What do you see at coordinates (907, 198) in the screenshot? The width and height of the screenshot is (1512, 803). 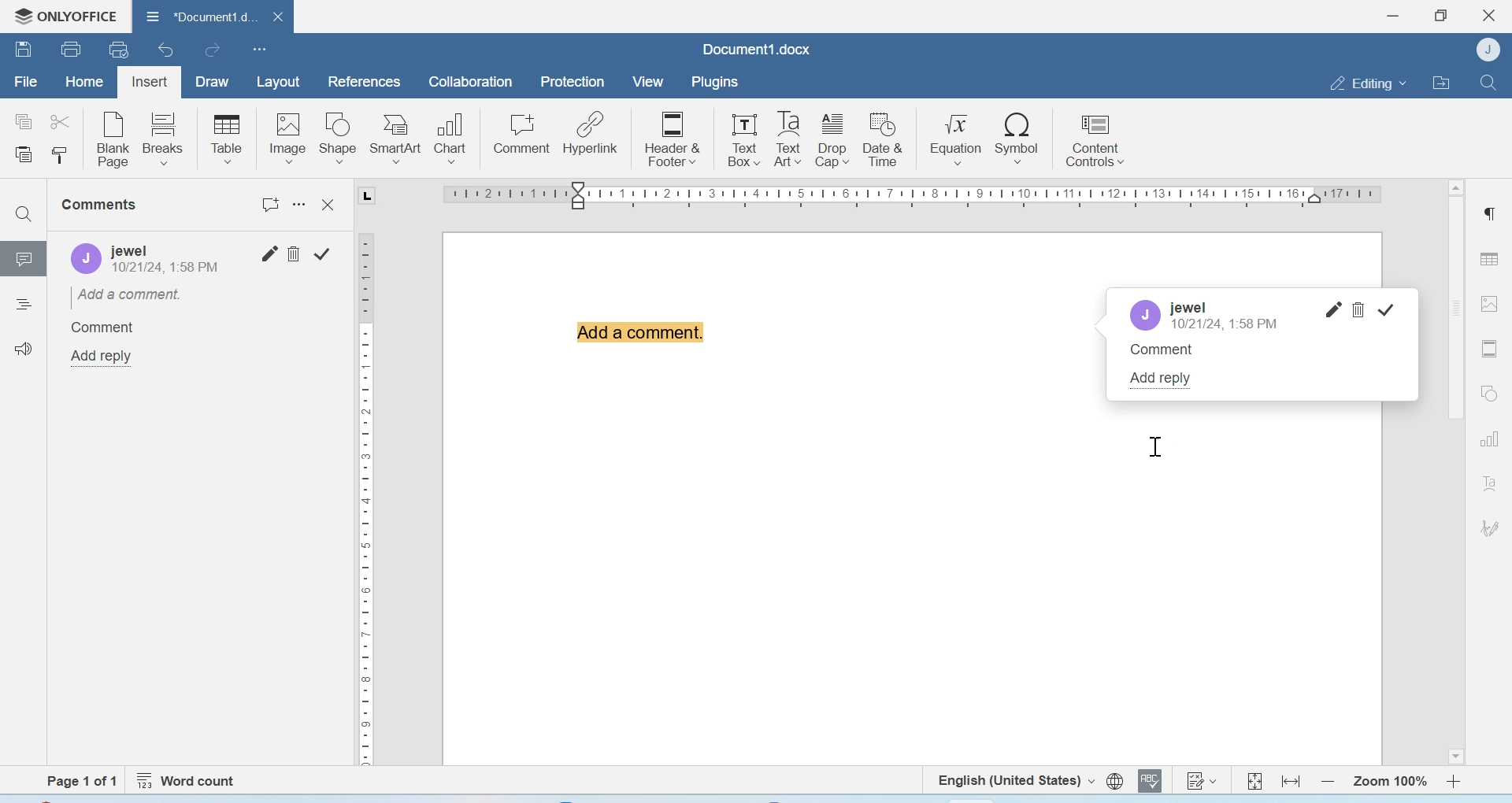 I see `Scale` at bounding box center [907, 198].